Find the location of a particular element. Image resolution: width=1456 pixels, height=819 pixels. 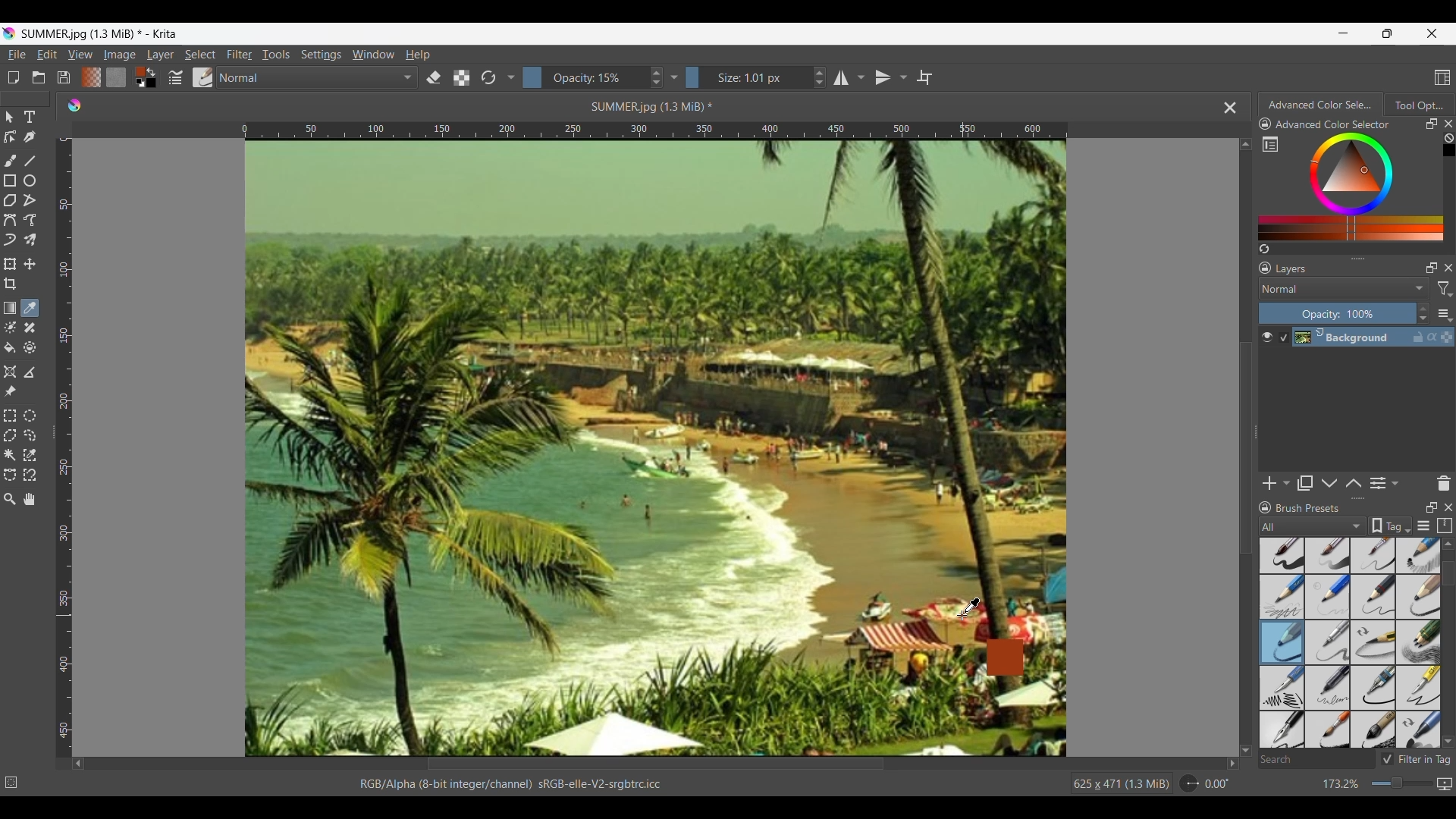

Clear all color history is located at coordinates (1448, 138).